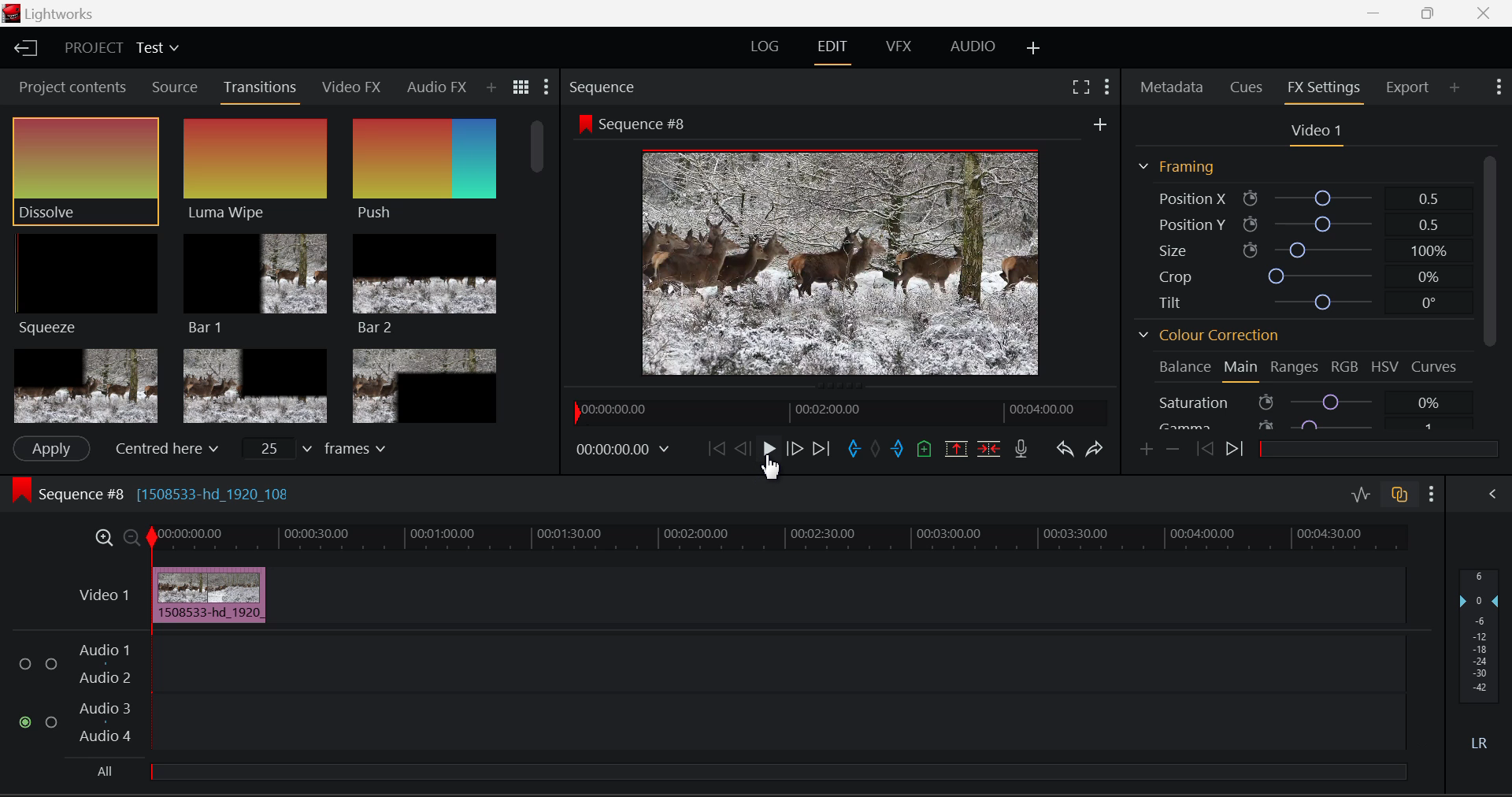 The width and height of the screenshot is (1512, 797). Describe the element at coordinates (717, 450) in the screenshot. I see `To start` at that location.